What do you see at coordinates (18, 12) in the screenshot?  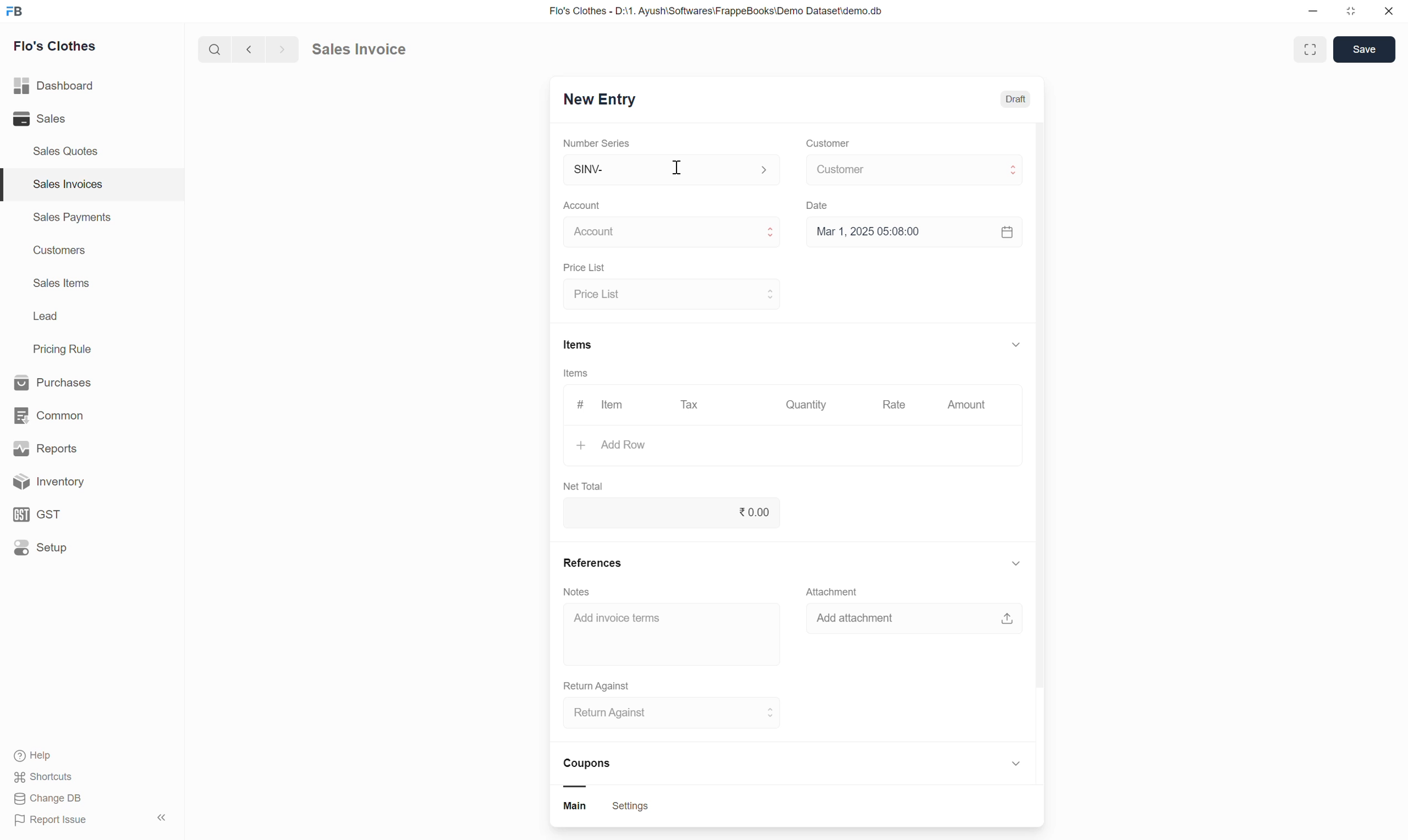 I see `Frappe Book logo` at bounding box center [18, 12].